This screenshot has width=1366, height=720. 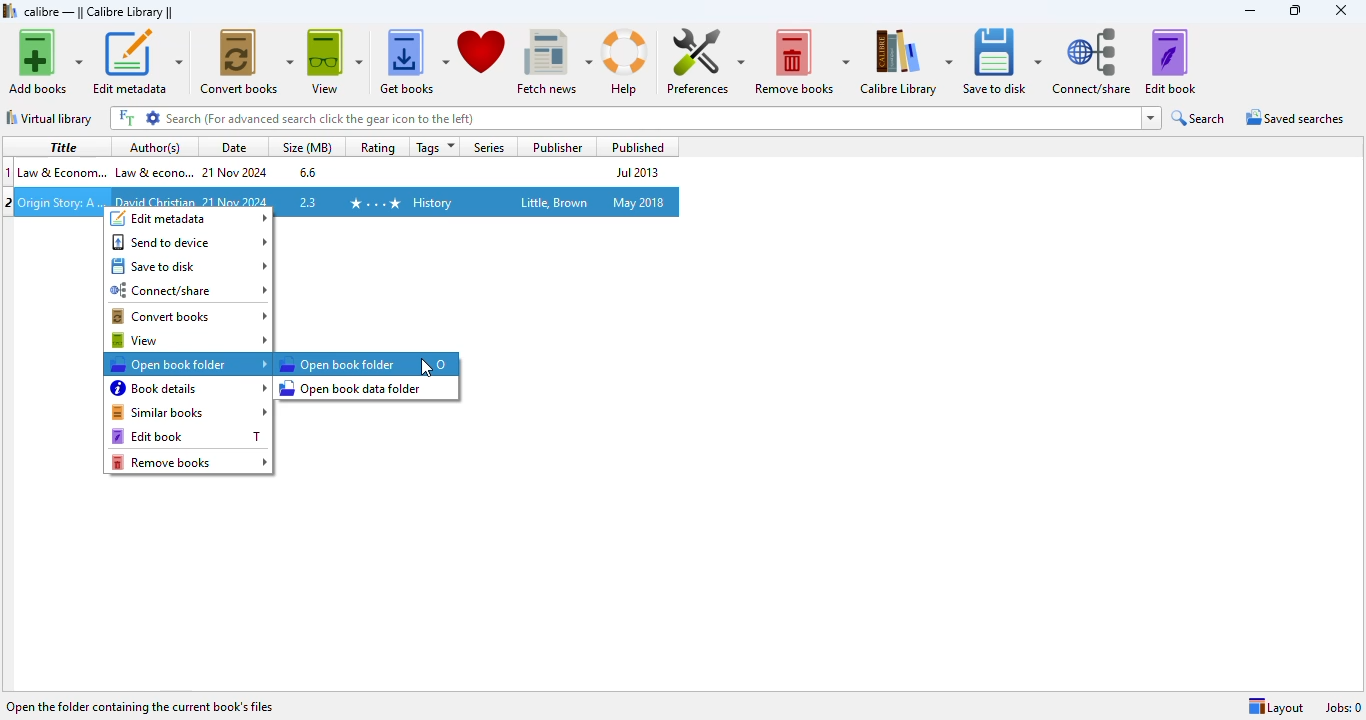 What do you see at coordinates (155, 147) in the screenshot?
I see `author(s)` at bounding box center [155, 147].